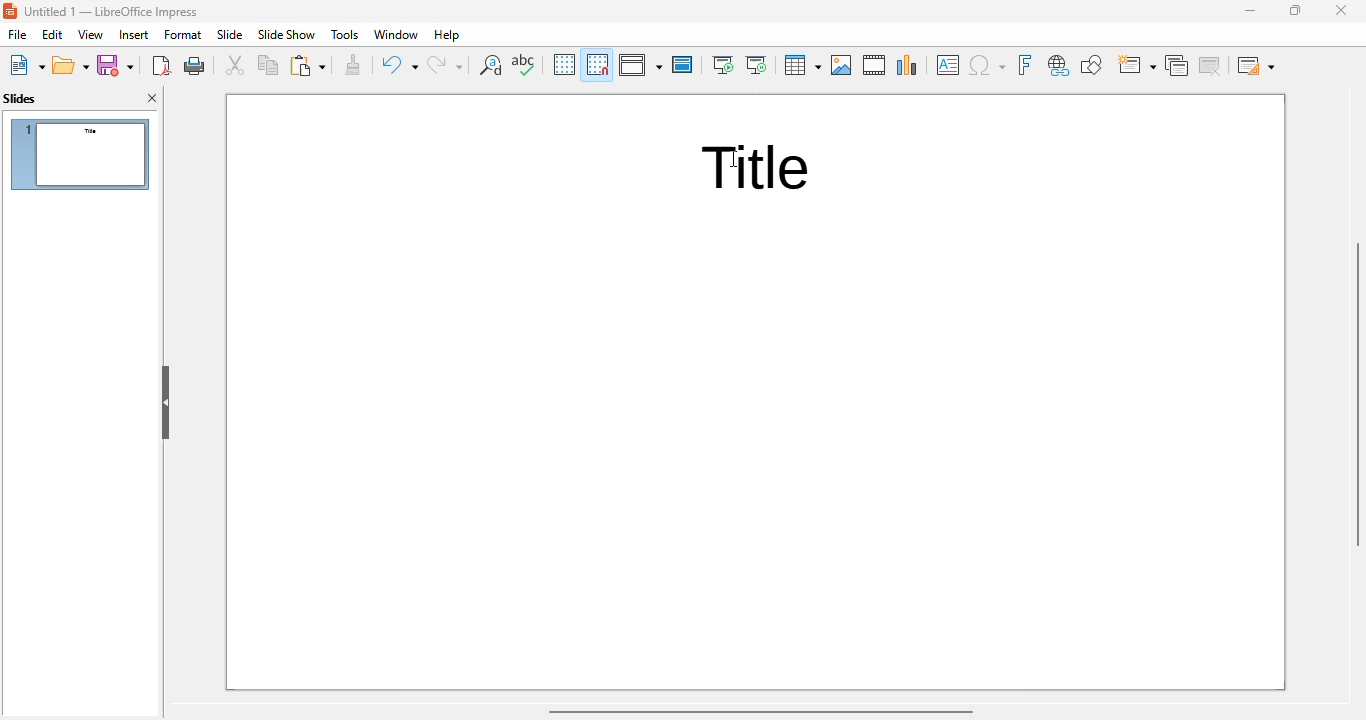 This screenshot has width=1366, height=720. Describe the element at coordinates (446, 64) in the screenshot. I see `redo` at that location.